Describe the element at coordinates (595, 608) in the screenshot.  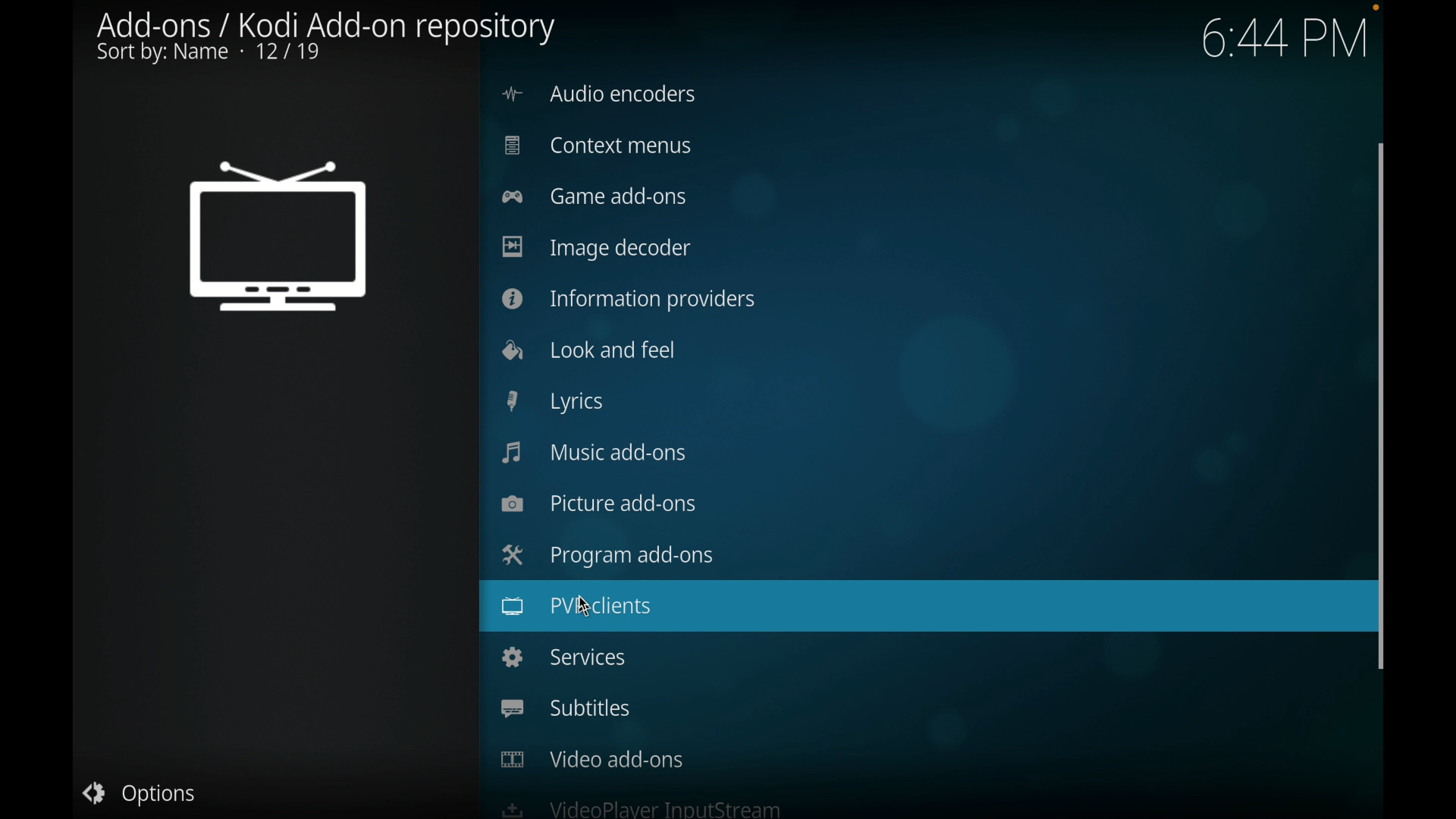
I see `cursor` at that location.